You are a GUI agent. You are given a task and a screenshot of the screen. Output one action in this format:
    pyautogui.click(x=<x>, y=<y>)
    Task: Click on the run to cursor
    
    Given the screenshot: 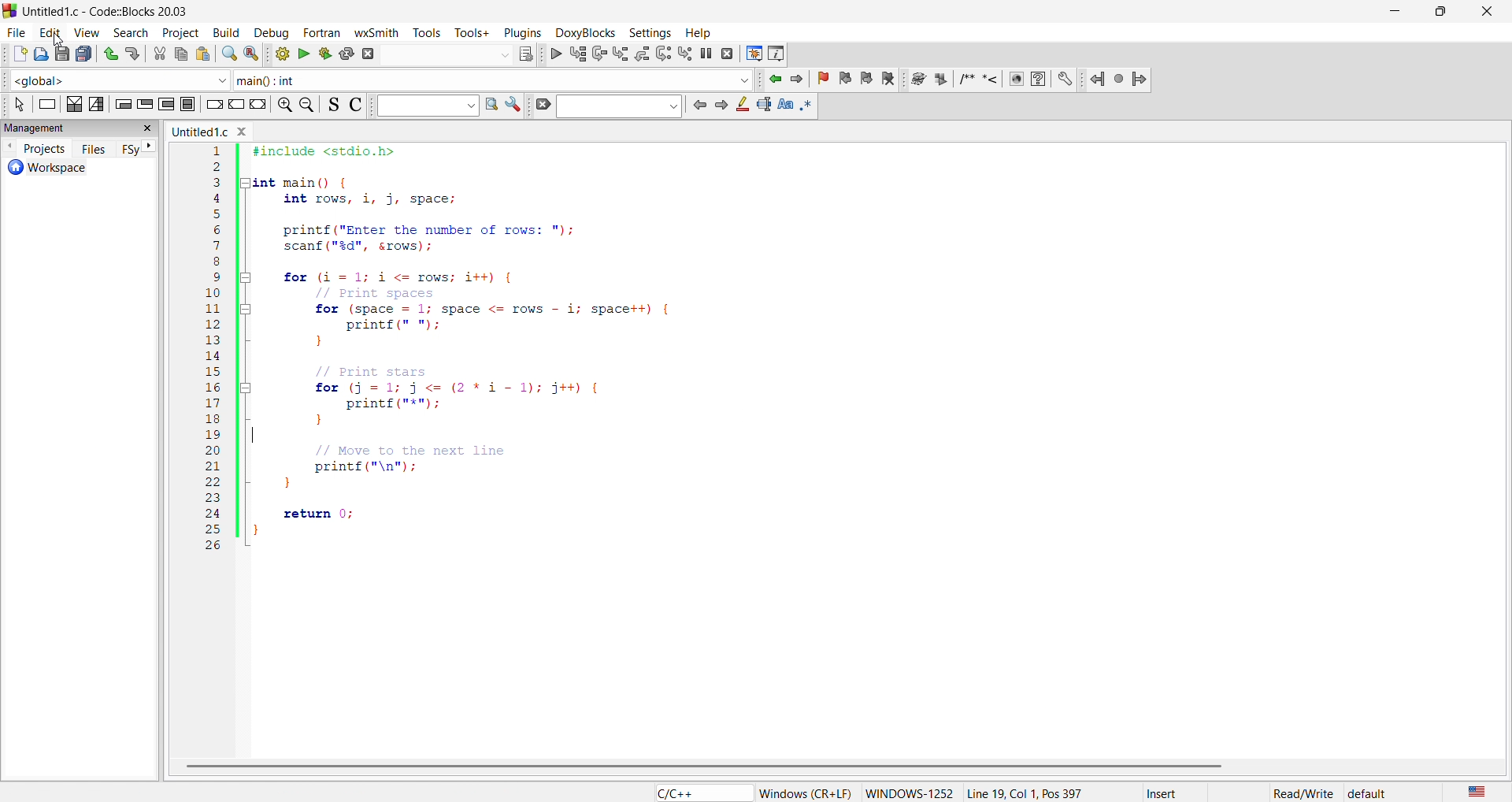 What is the action you would take?
    pyautogui.click(x=577, y=54)
    